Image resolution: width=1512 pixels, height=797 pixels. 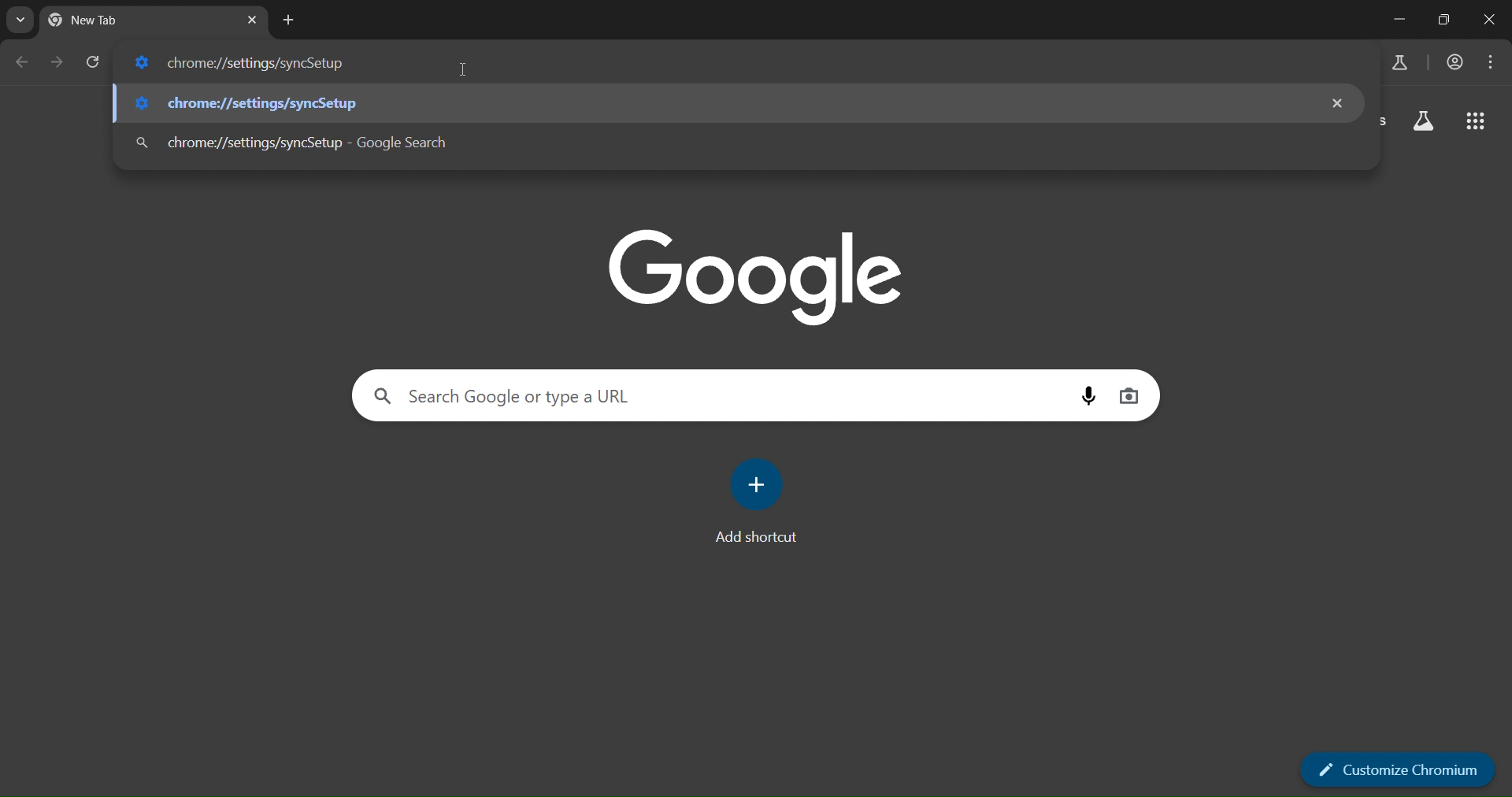 I want to click on google apps, so click(x=1477, y=120).